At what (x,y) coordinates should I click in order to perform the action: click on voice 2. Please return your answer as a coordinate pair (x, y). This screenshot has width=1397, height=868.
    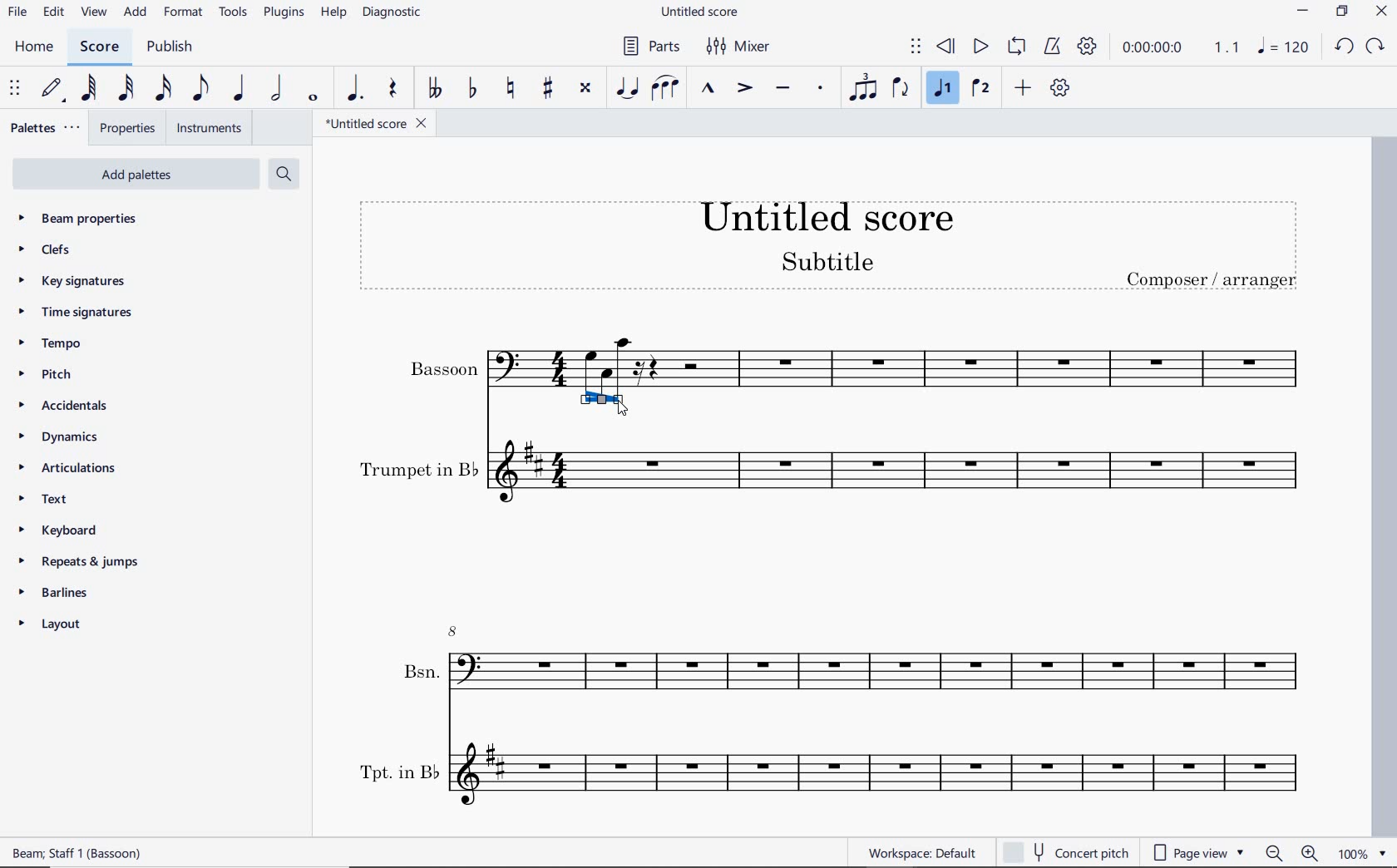
    Looking at the image, I should click on (981, 89).